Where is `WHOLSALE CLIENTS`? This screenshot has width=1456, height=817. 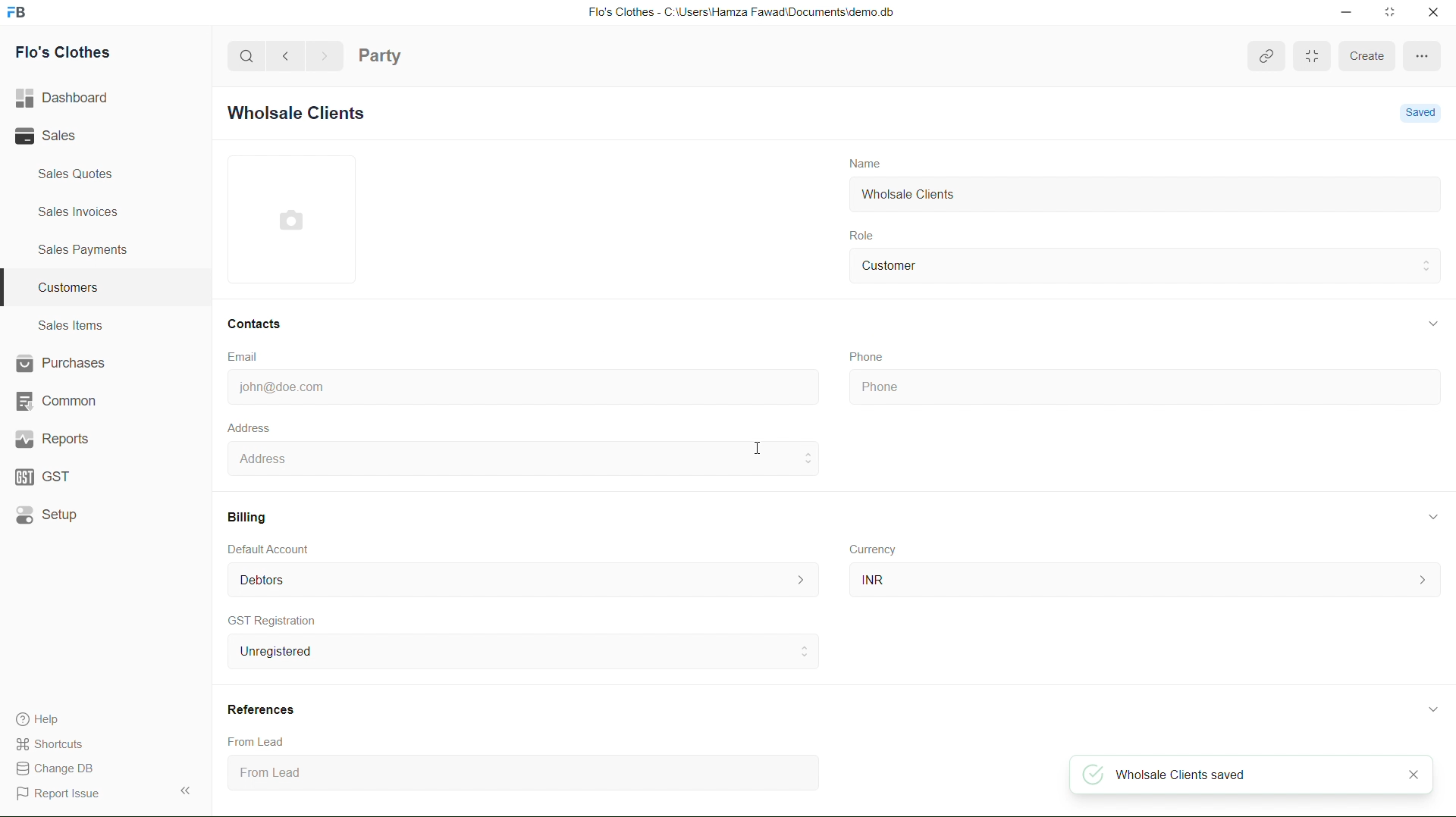
WHOLSALE CLIENTS is located at coordinates (307, 116).